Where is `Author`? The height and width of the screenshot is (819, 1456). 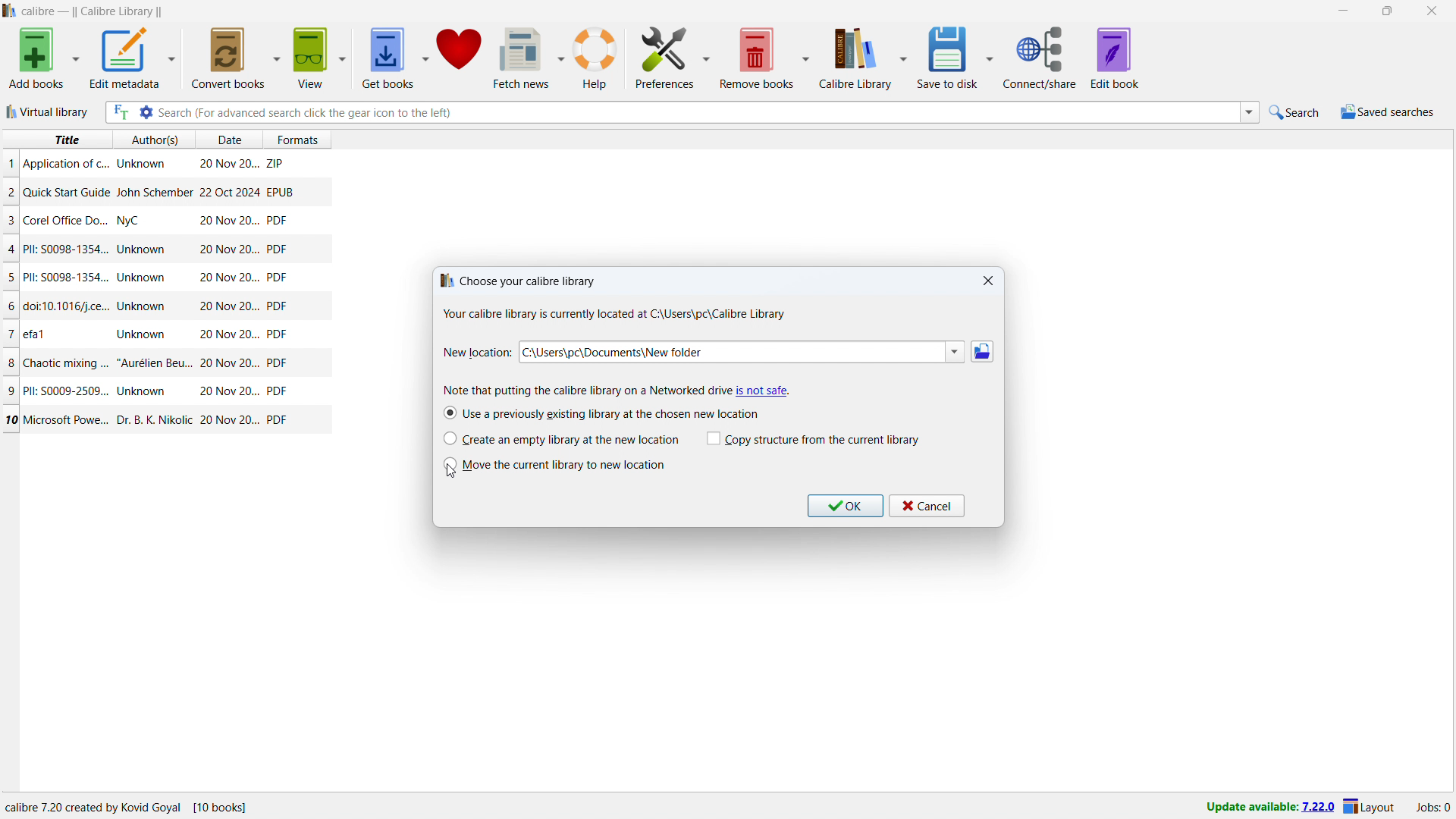 Author is located at coordinates (143, 250).